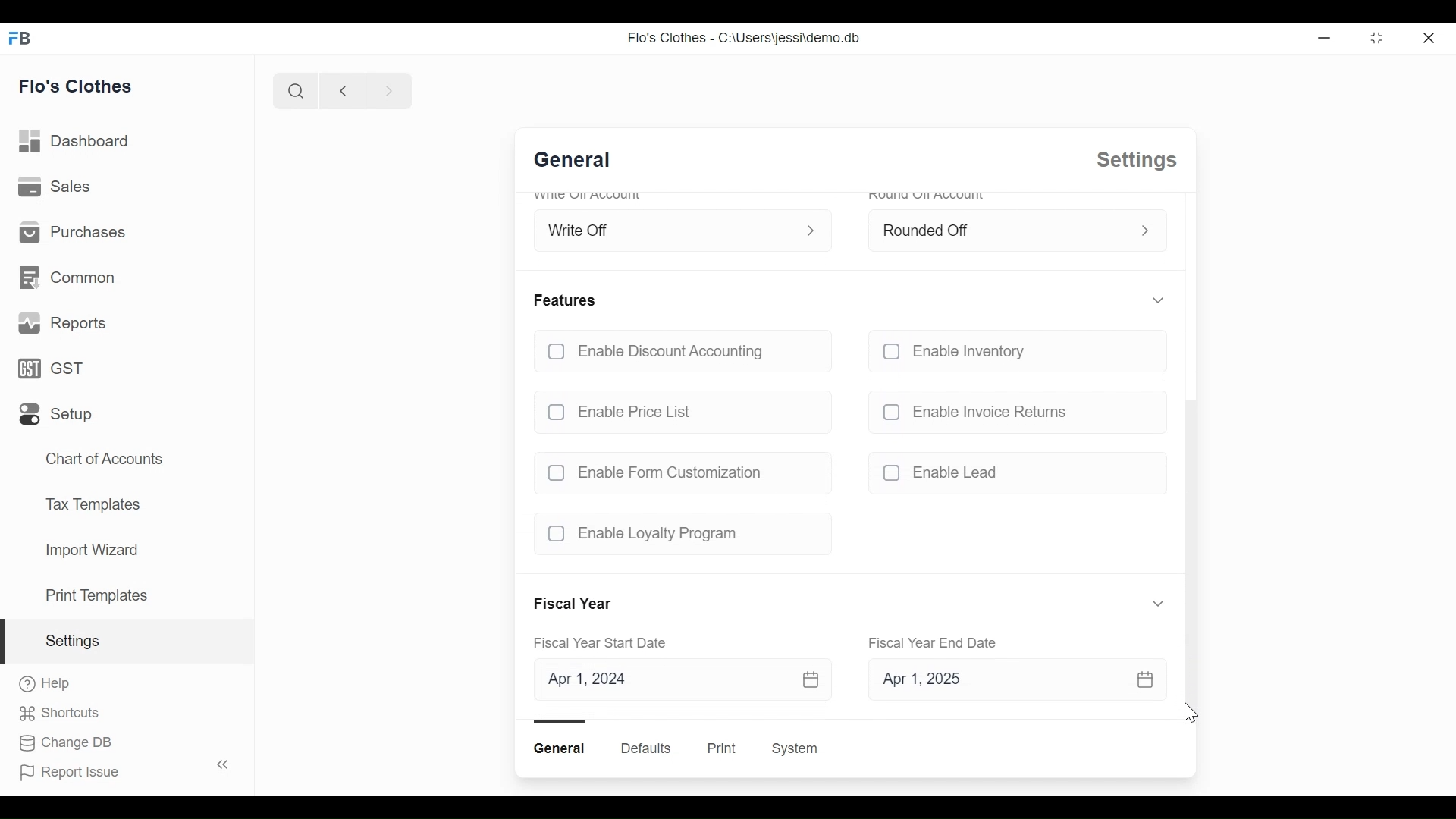 This screenshot has width=1456, height=819. Describe the element at coordinates (1194, 716) in the screenshot. I see `cursor` at that location.